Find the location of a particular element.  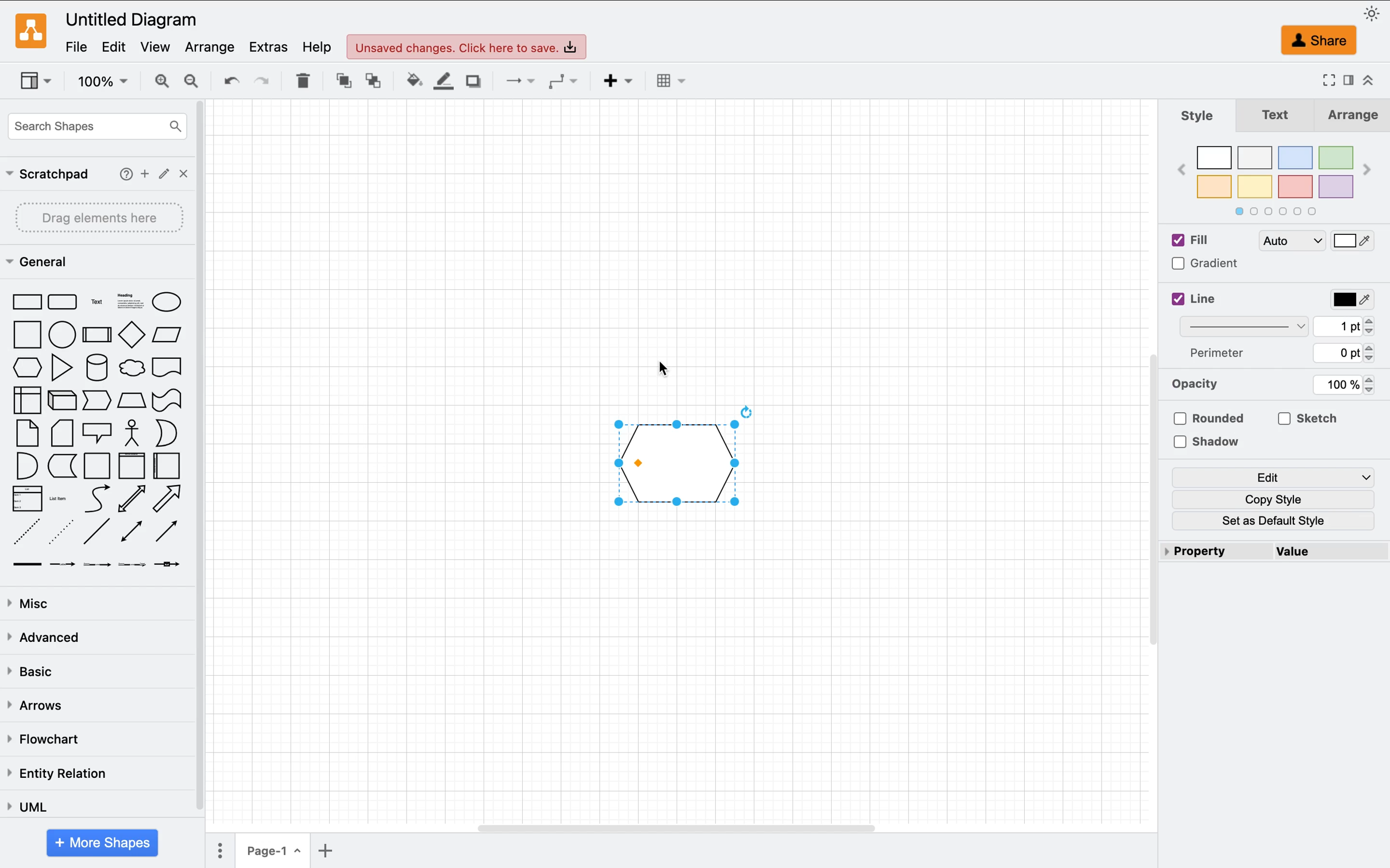

Fill is located at coordinates (1207, 242).